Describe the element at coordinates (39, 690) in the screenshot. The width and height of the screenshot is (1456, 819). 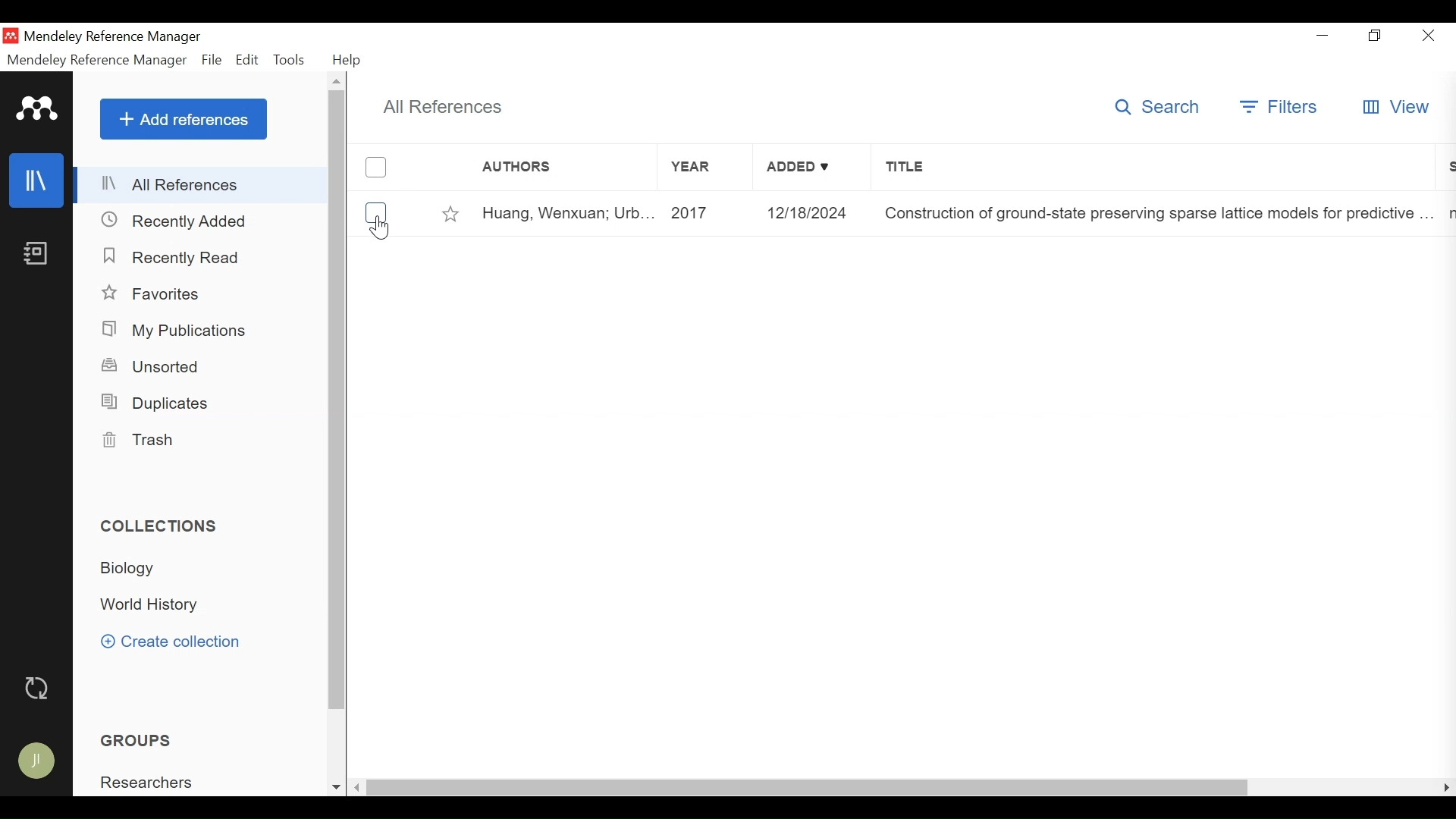
I see `Sync` at that location.